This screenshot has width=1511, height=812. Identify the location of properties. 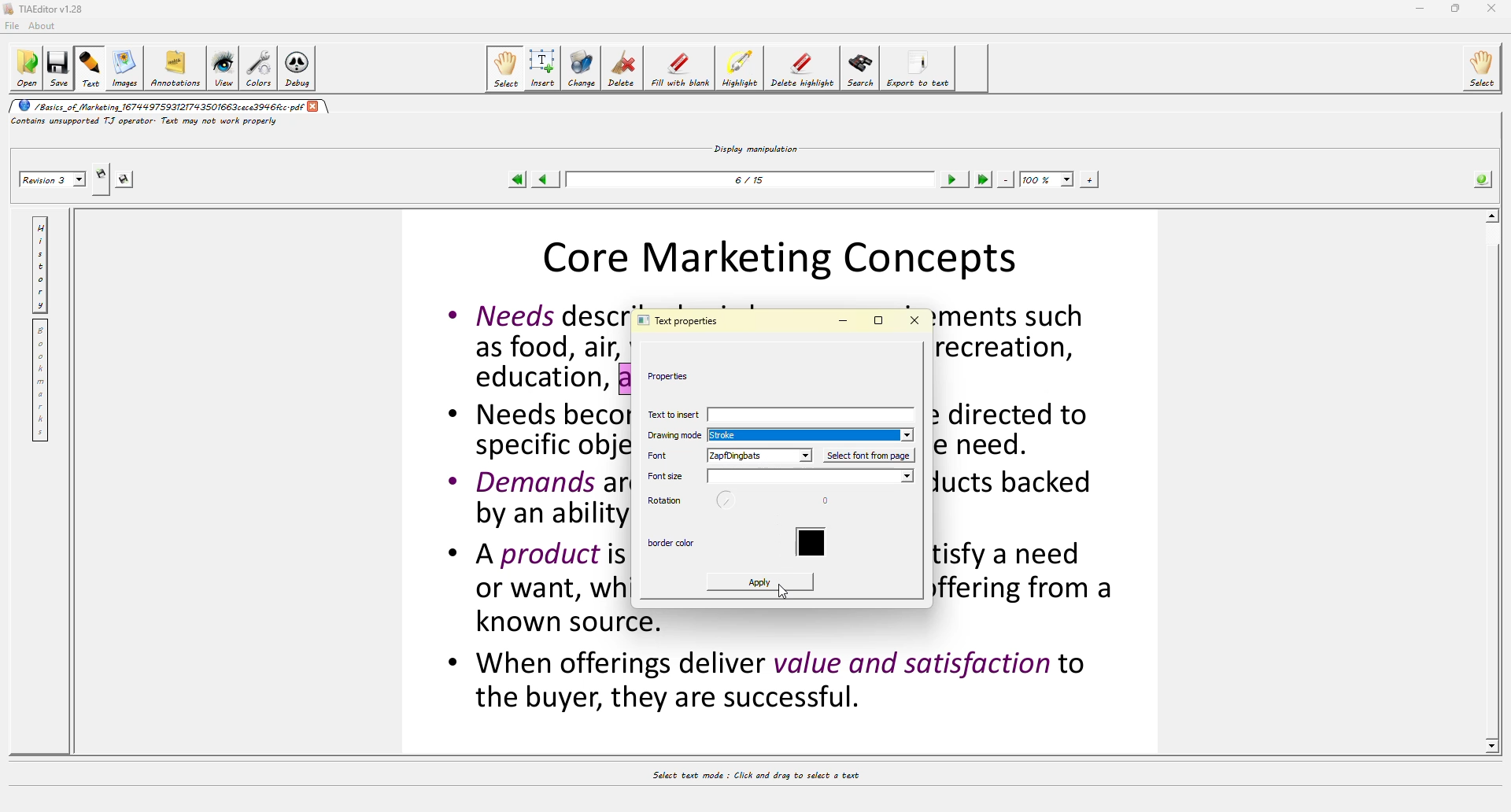
(675, 376).